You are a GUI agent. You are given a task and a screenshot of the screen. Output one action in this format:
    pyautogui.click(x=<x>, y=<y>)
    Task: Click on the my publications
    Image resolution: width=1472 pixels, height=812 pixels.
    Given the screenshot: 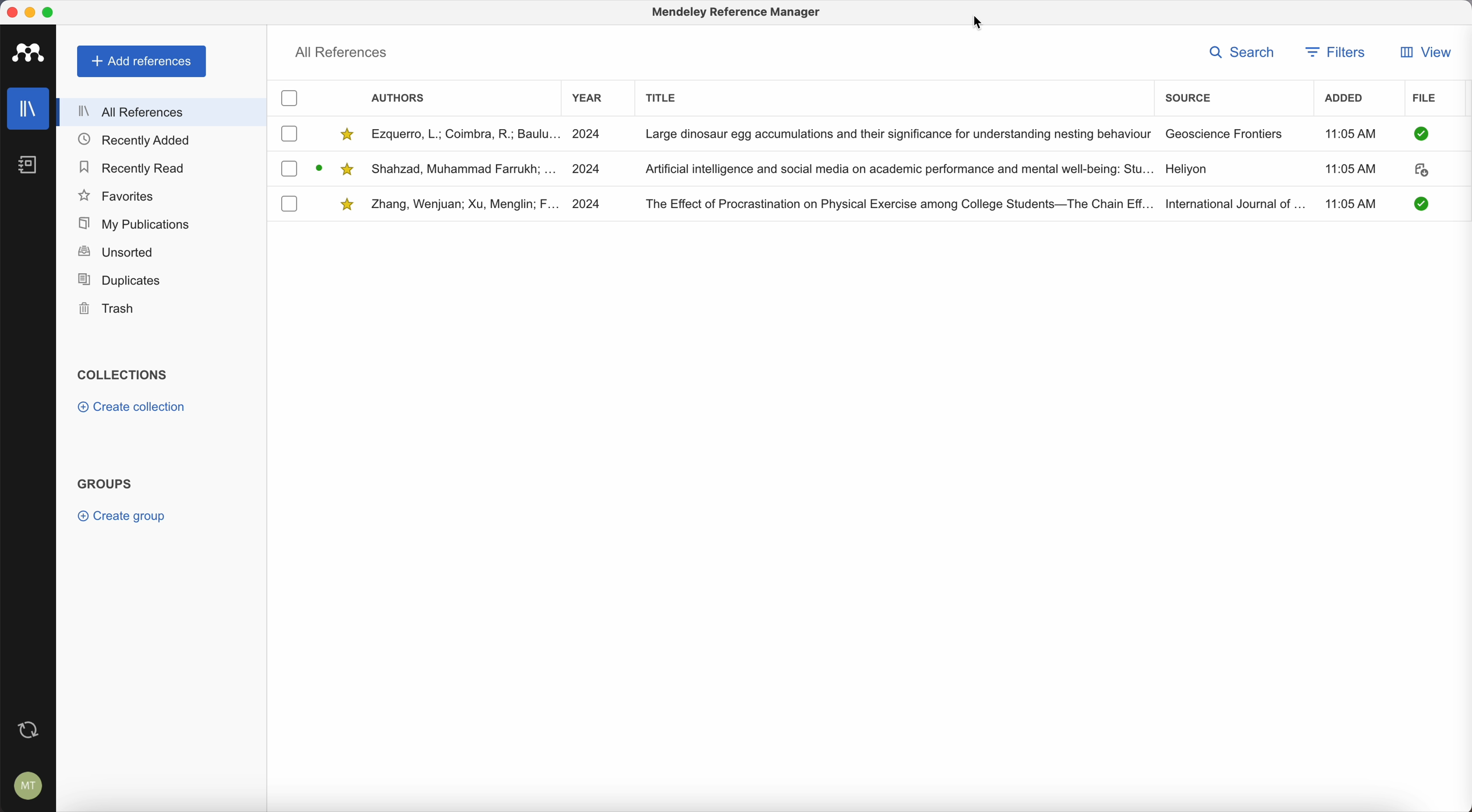 What is the action you would take?
    pyautogui.click(x=131, y=222)
    